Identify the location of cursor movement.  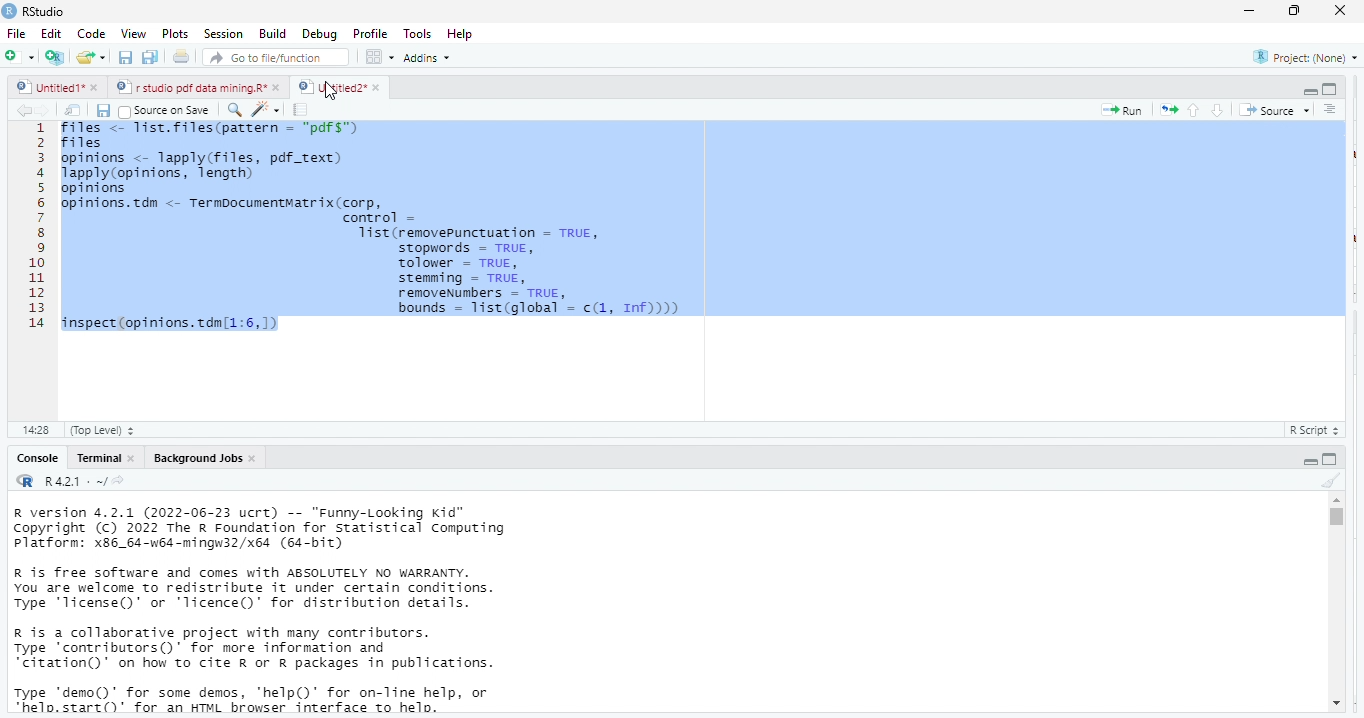
(332, 92).